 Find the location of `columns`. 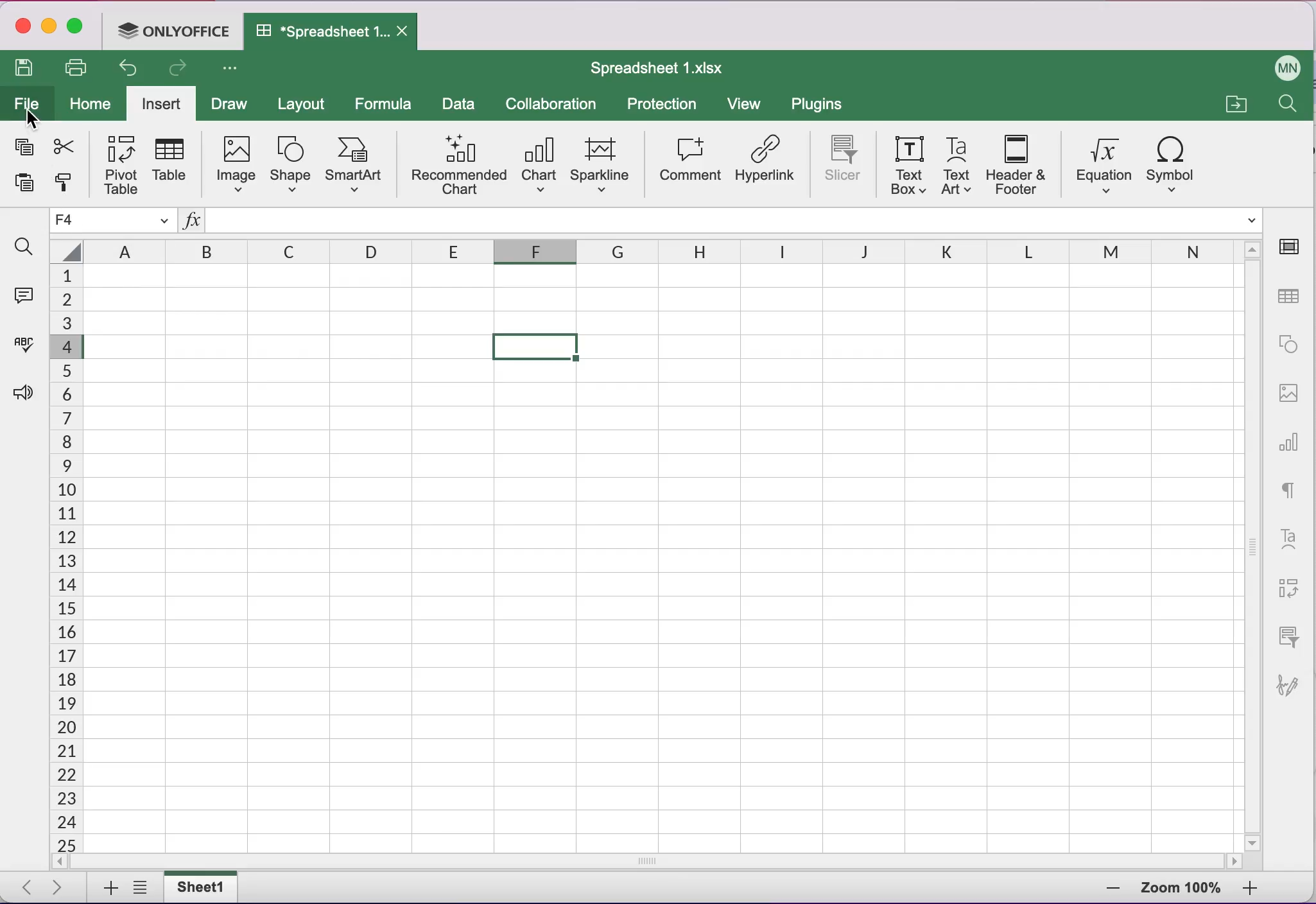

columns is located at coordinates (646, 248).